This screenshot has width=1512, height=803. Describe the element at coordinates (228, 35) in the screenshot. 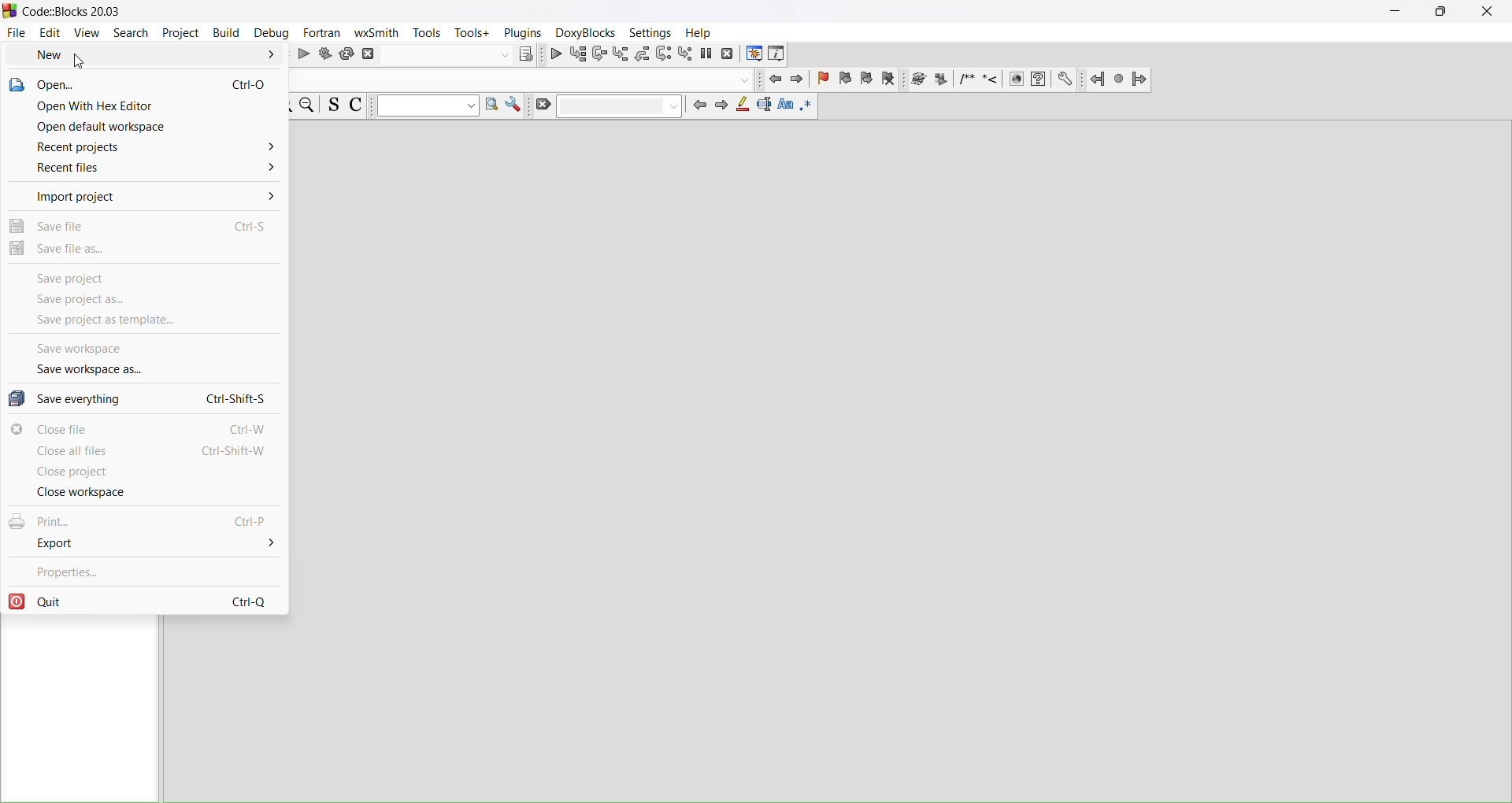

I see `build` at that location.